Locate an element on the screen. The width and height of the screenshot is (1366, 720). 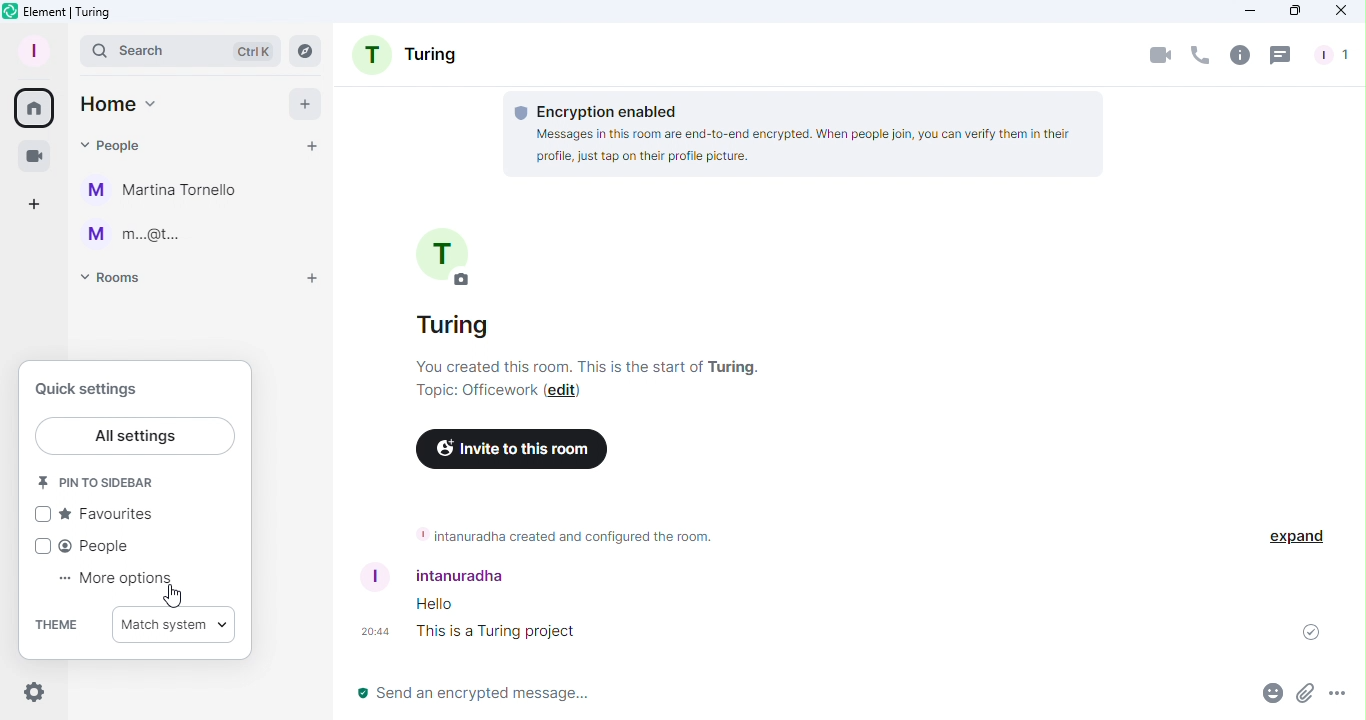
Quick settings is located at coordinates (86, 386).